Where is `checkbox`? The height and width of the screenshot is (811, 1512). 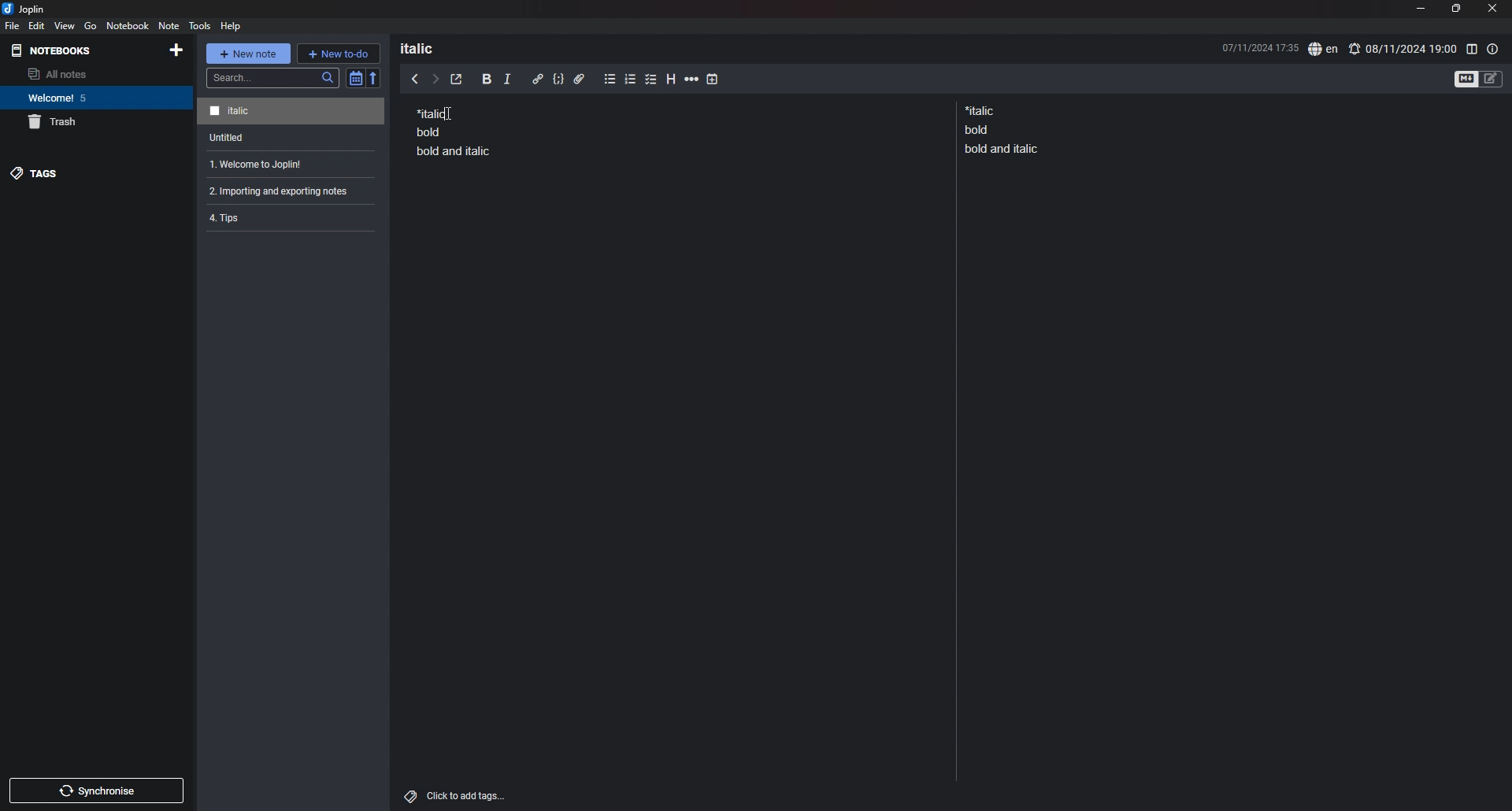
checkbox is located at coordinates (651, 80).